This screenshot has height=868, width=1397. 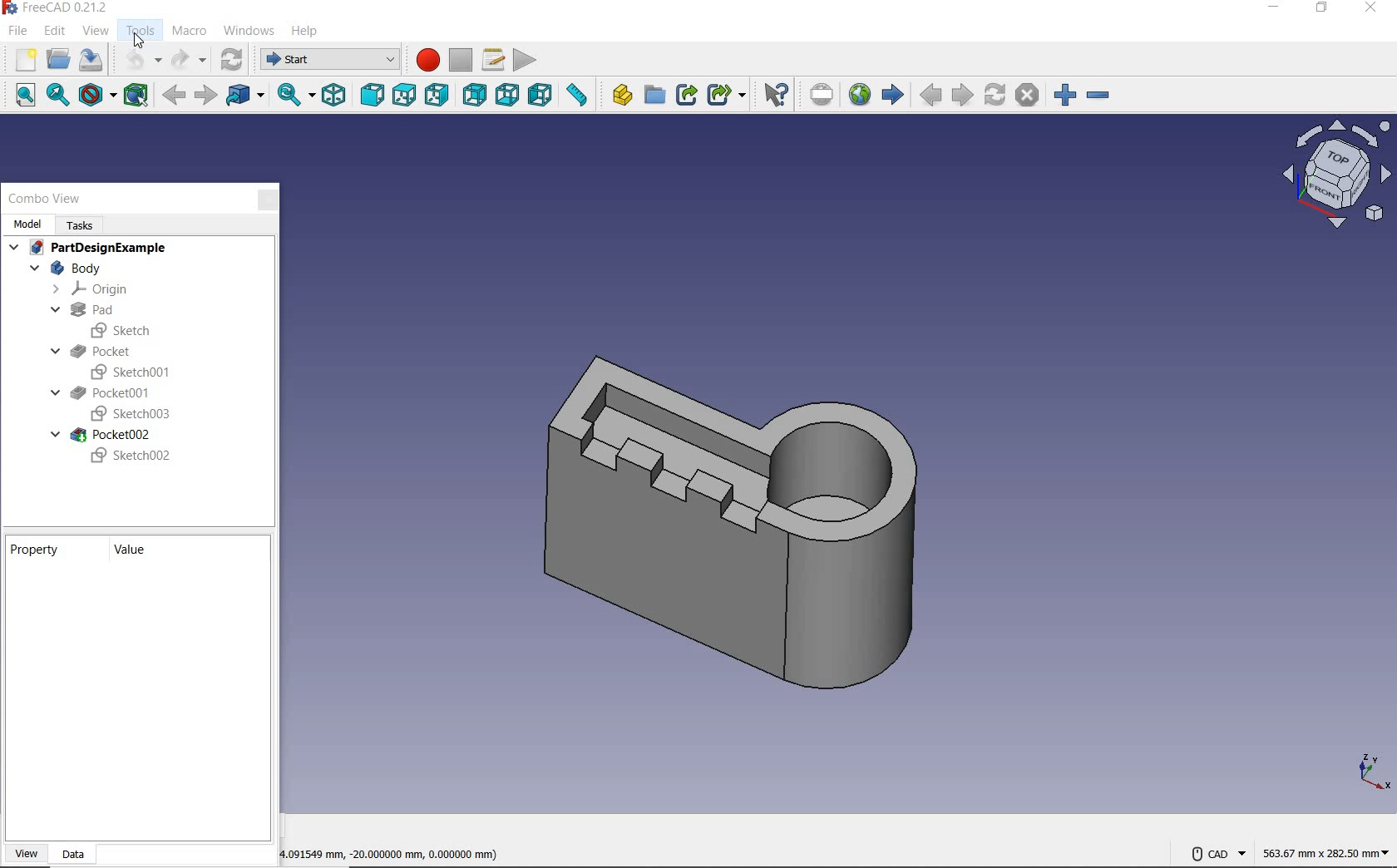 What do you see at coordinates (371, 96) in the screenshot?
I see `Front` at bounding box center [371, 96].